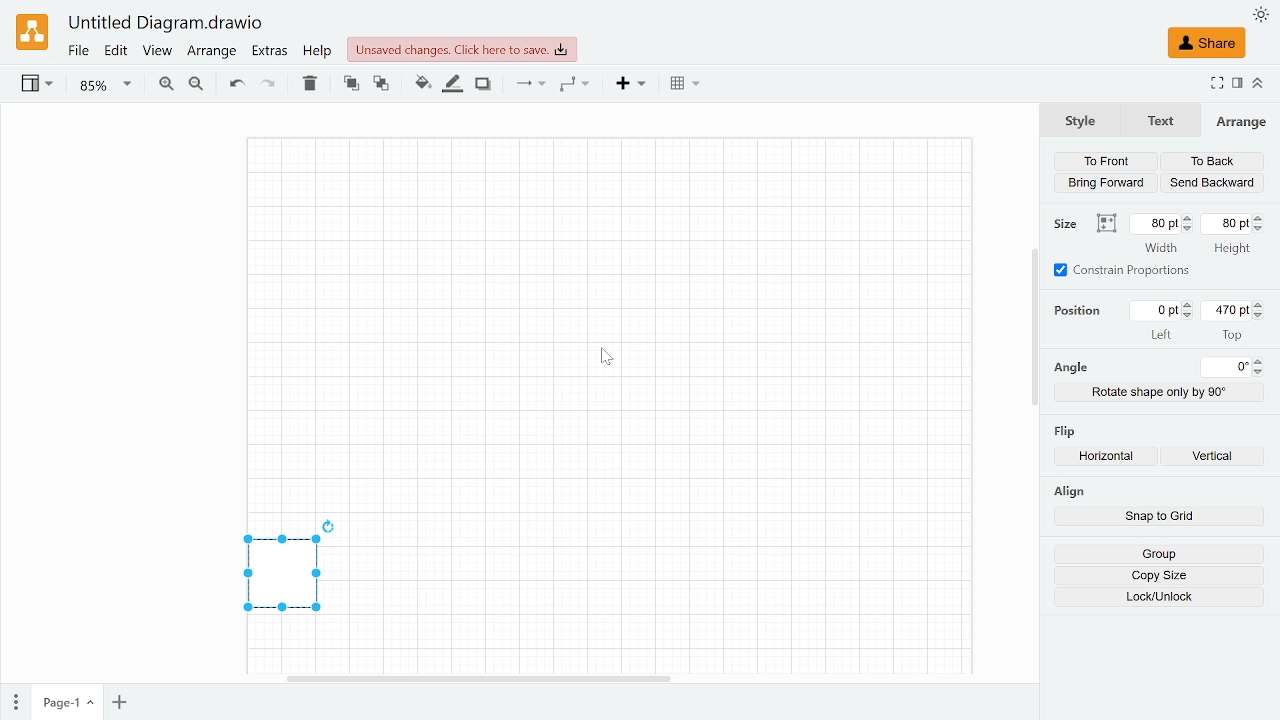 The height and width of the screenshot is (720, 1280). What do you see at coordinates (1080, 119) in the screenshot?
I see `Style` at bounding box center [1080, 119].